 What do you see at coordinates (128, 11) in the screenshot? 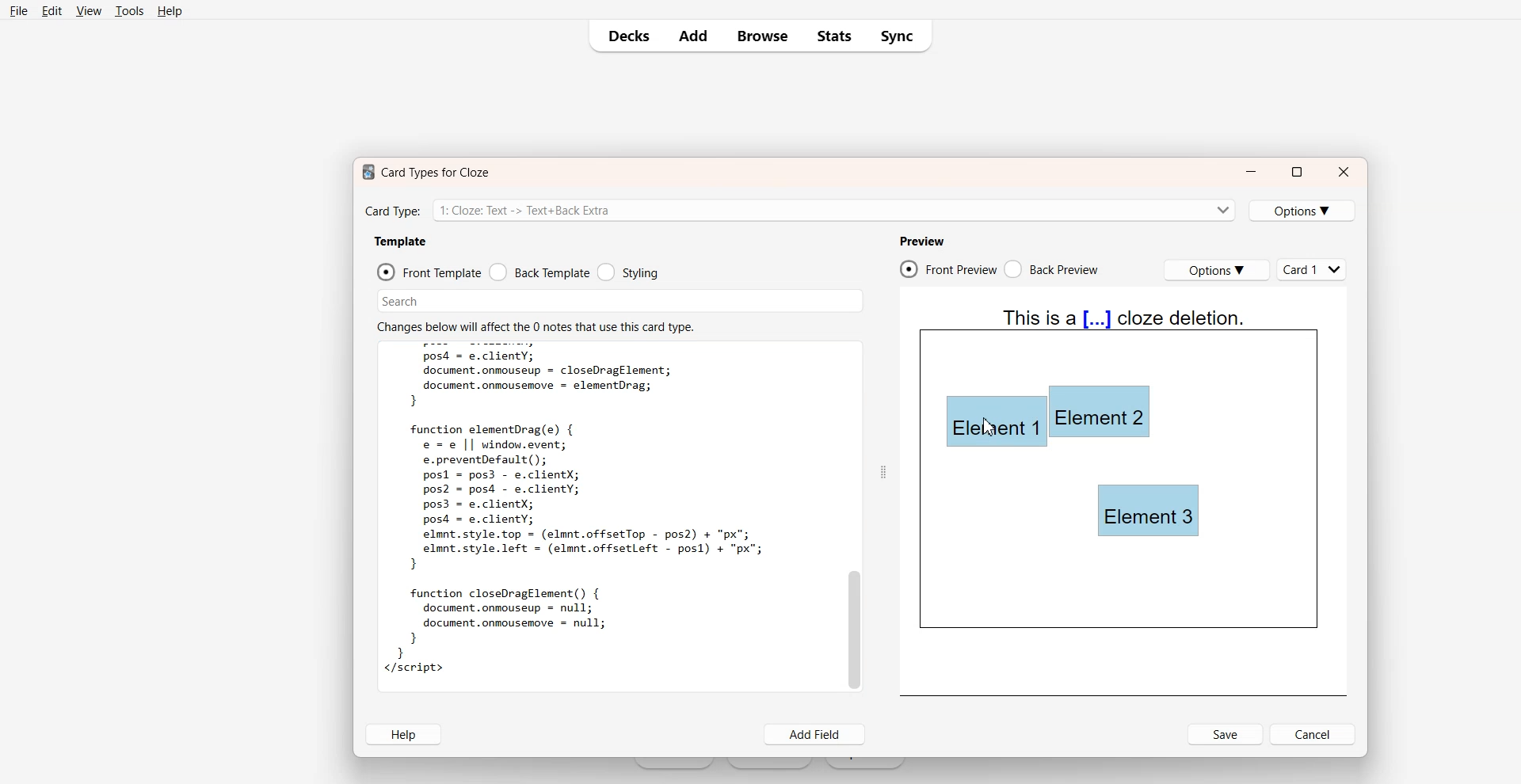
I see `Tools` at bounding box center [128, 11].